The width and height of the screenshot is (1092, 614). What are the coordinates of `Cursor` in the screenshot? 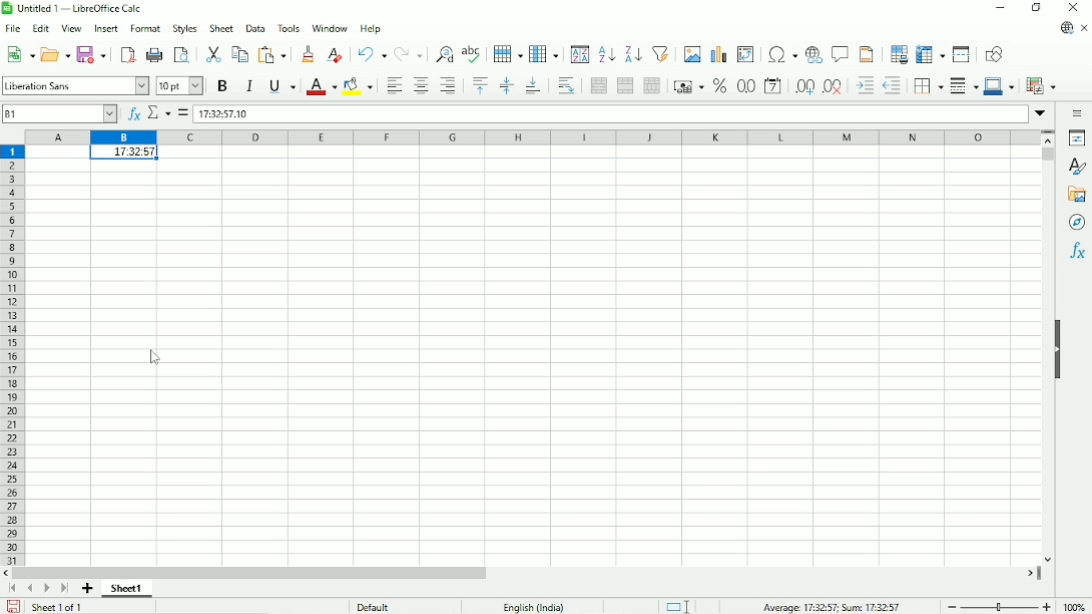 It's located at (156, 357).